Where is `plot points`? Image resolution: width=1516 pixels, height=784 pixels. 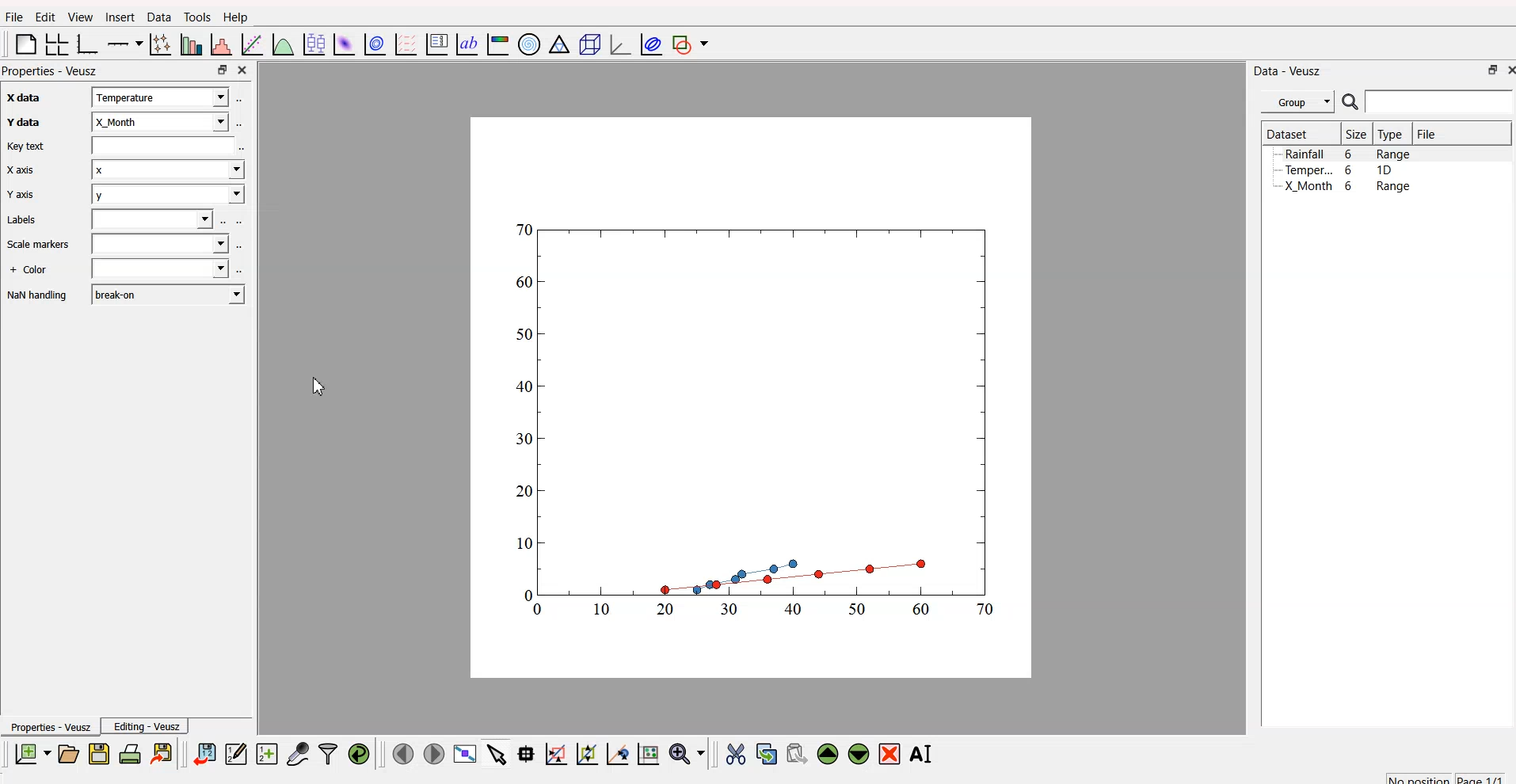
plot points is located at coordinates (158, 44).